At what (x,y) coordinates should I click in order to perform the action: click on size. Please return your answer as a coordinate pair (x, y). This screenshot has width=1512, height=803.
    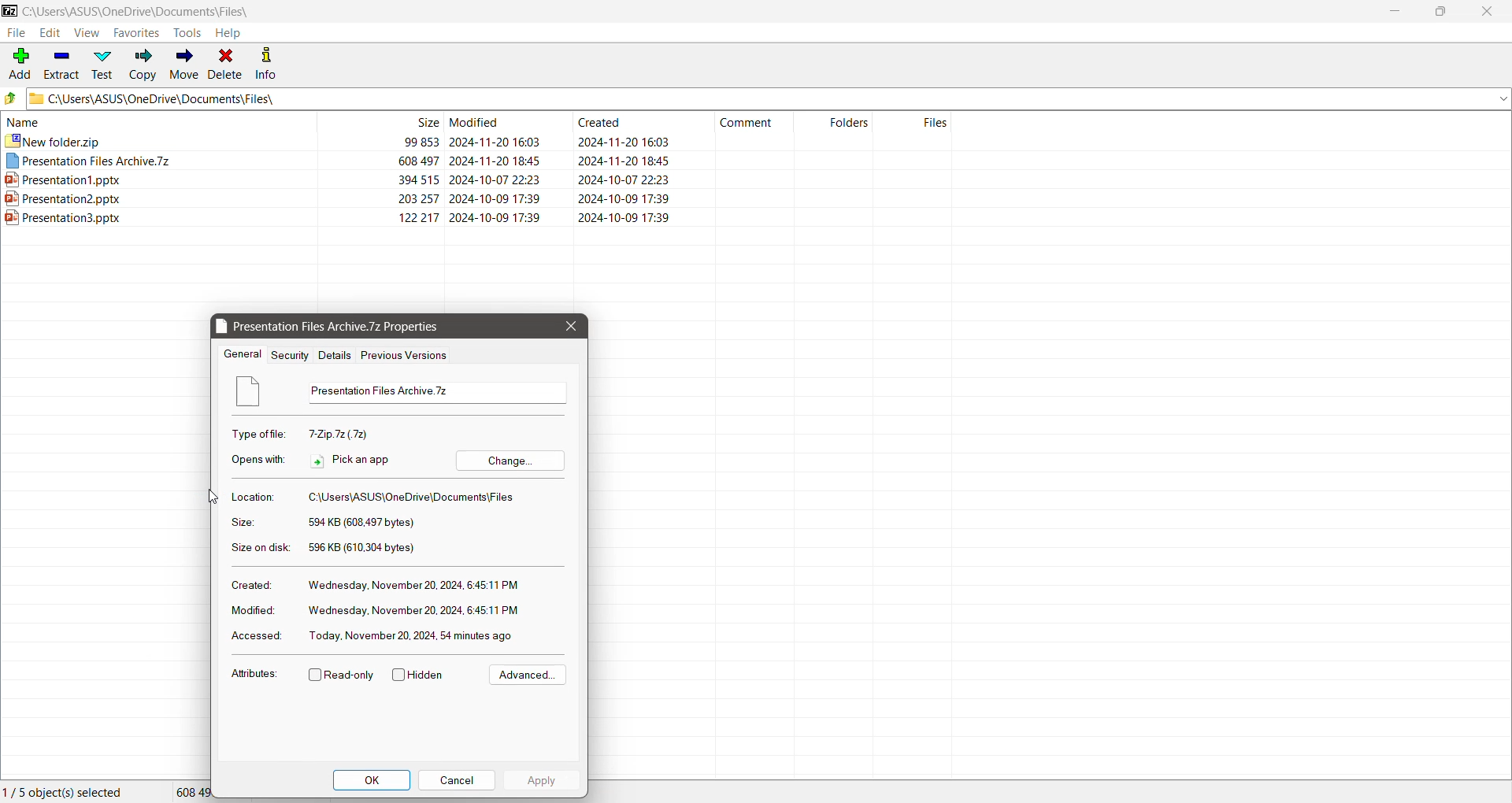
    Looking at the image, I should click on (379, 122).